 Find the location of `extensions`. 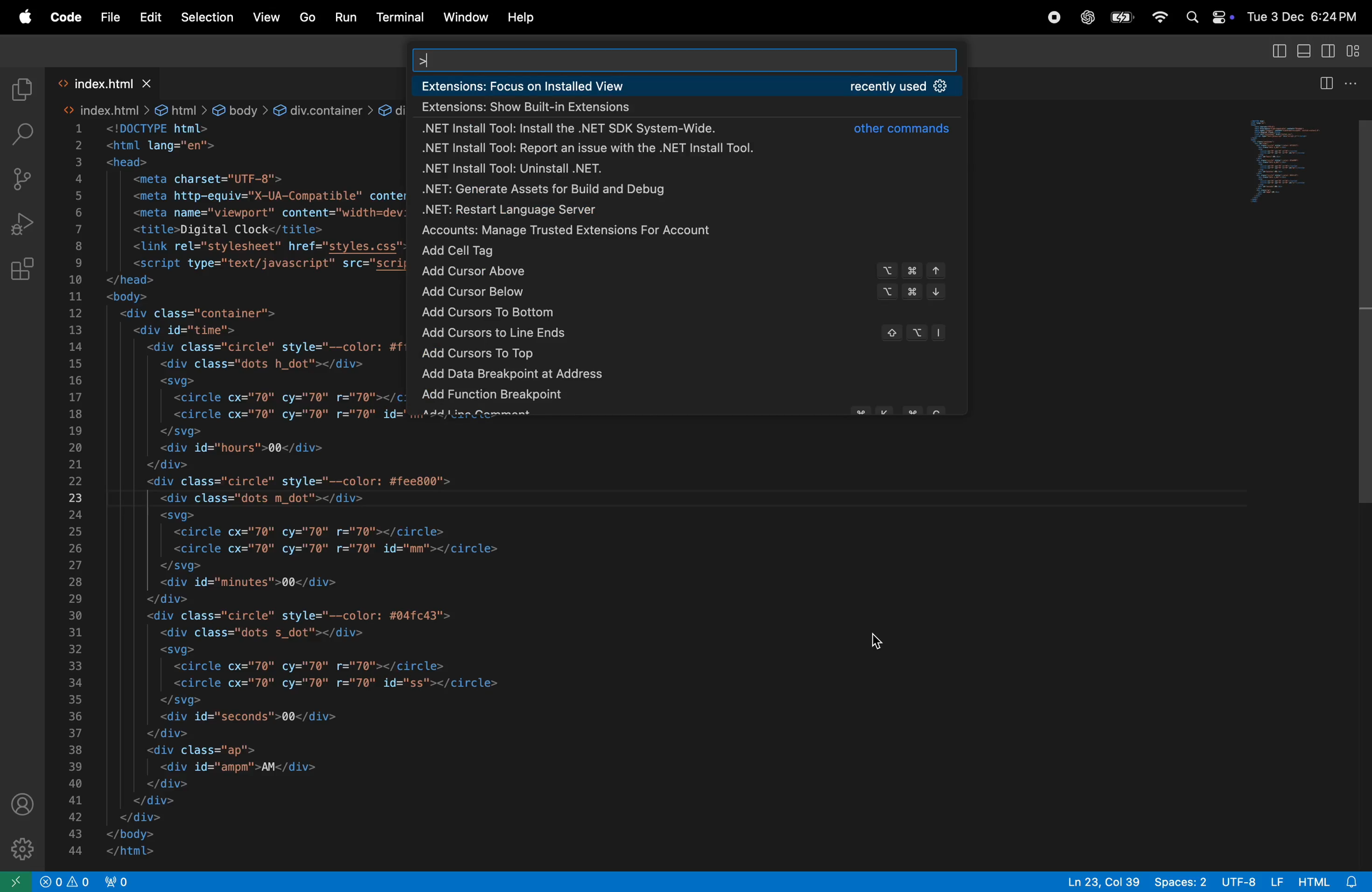

extensions is located at coordinates (22, 270).